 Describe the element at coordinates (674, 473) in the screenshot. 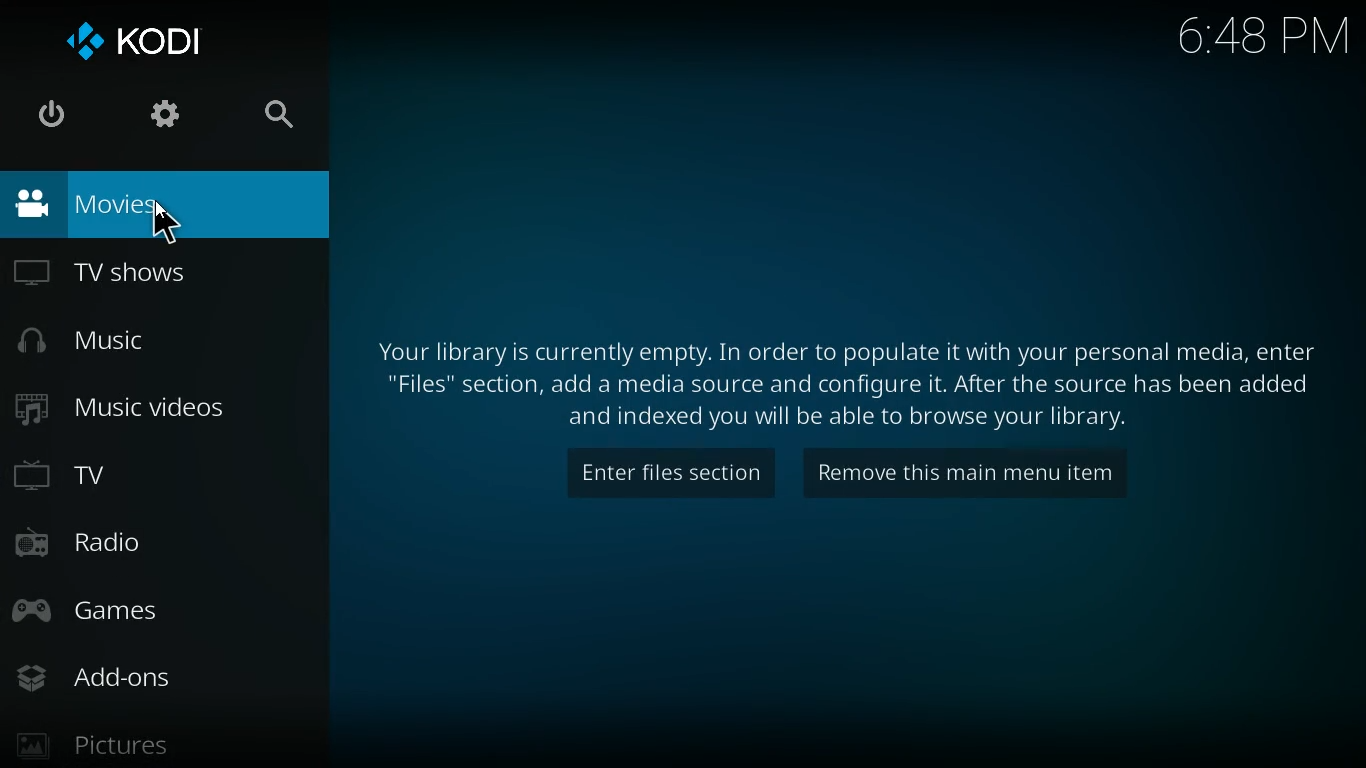

I see `enter files` at that location.